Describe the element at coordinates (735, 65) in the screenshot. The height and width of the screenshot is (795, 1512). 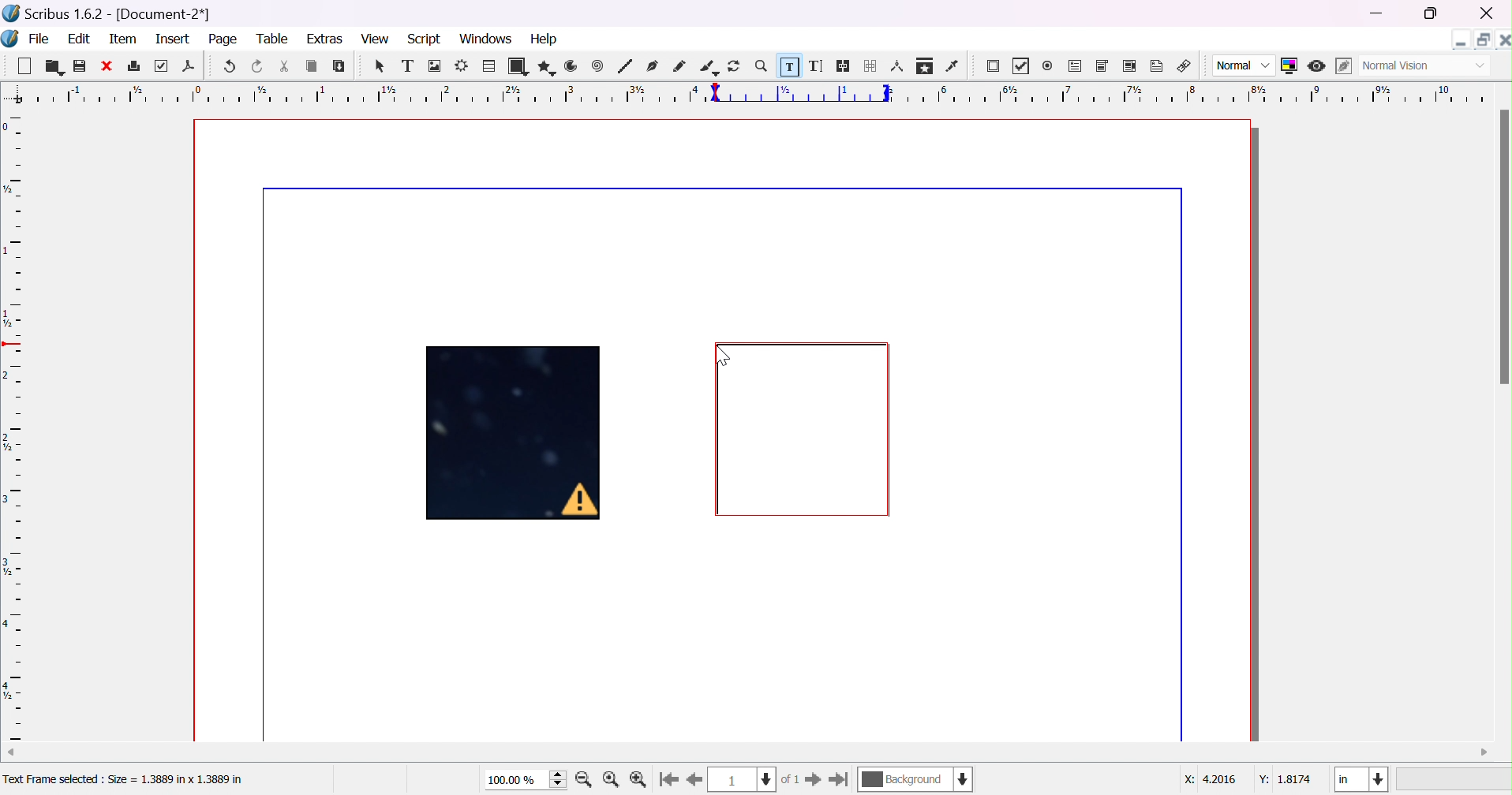
I see `rotate item` at that location.